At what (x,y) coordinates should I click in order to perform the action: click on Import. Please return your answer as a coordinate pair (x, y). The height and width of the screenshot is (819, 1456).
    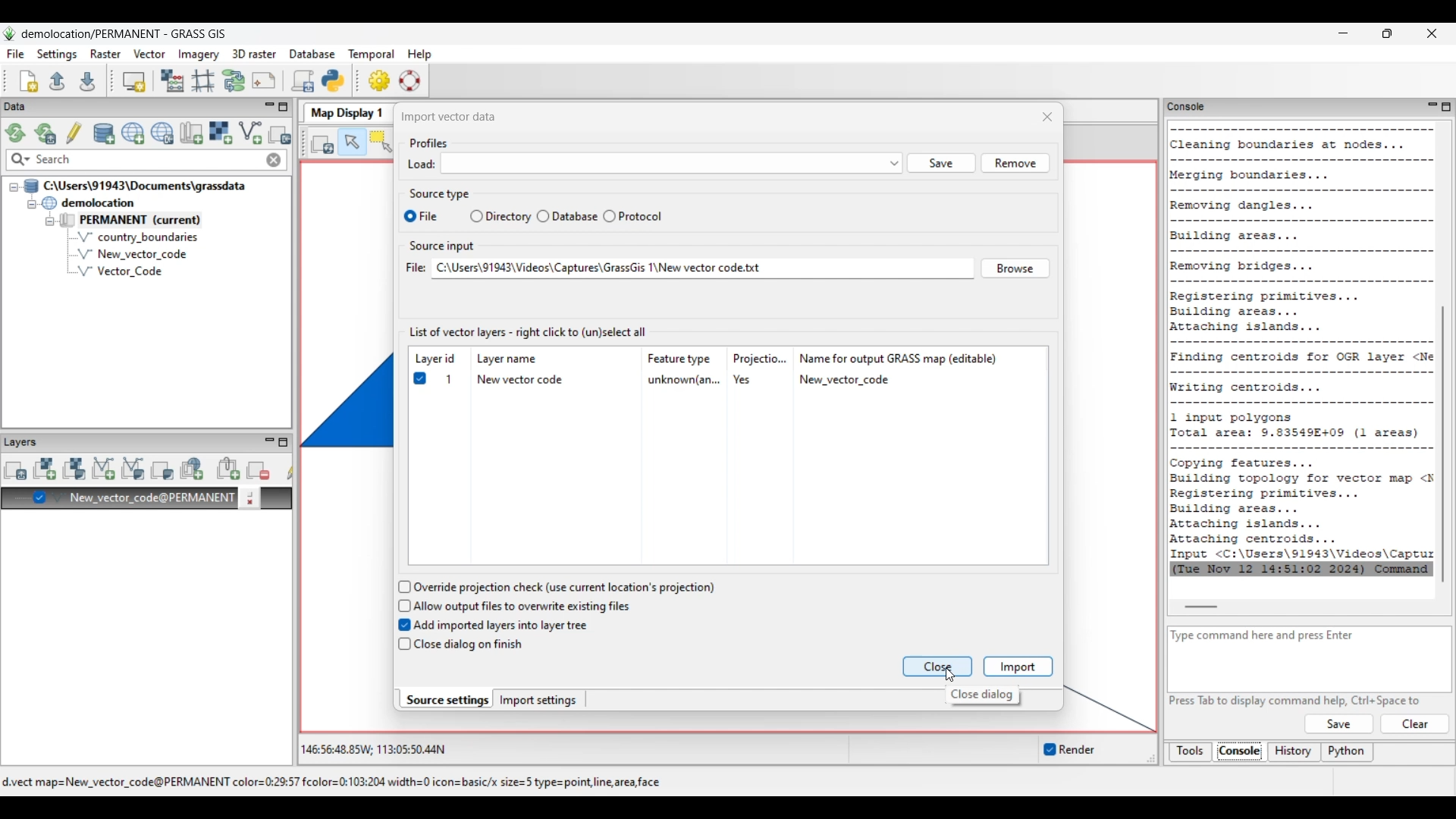
    Looking at the image, I should click on (1018, 667).